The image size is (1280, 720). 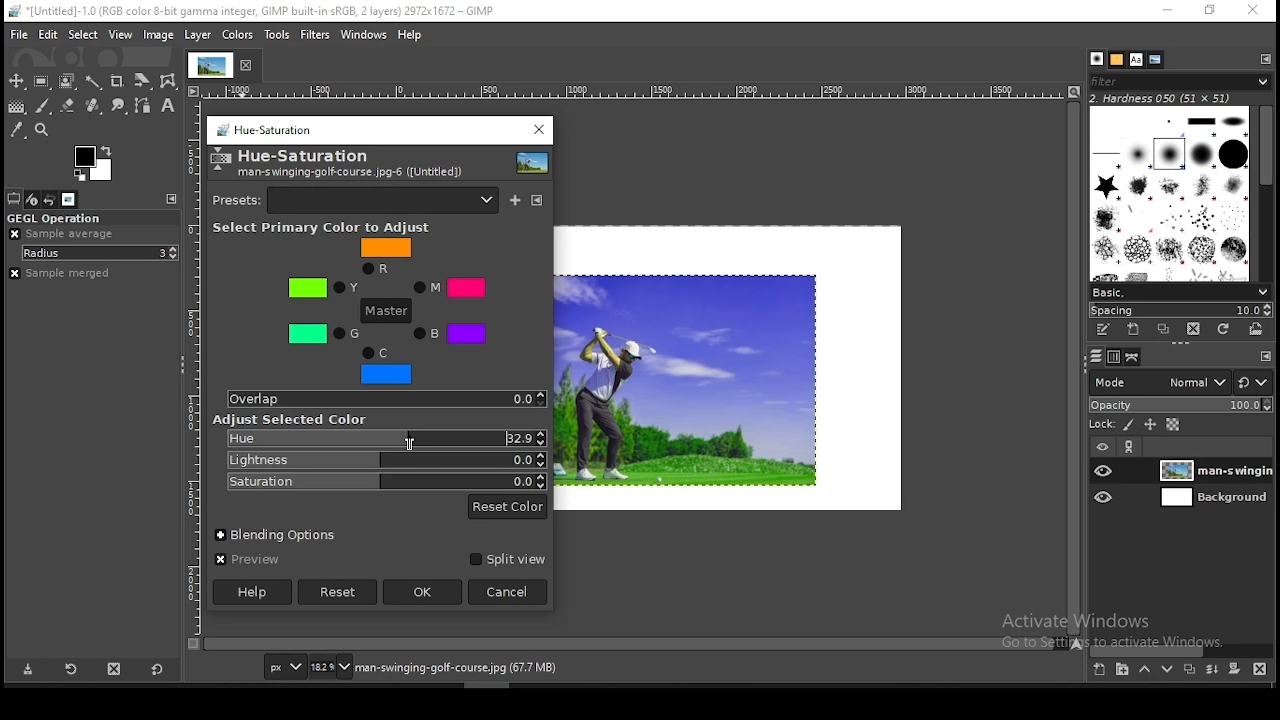 I want to click on tools, so click(x=276, y=35).